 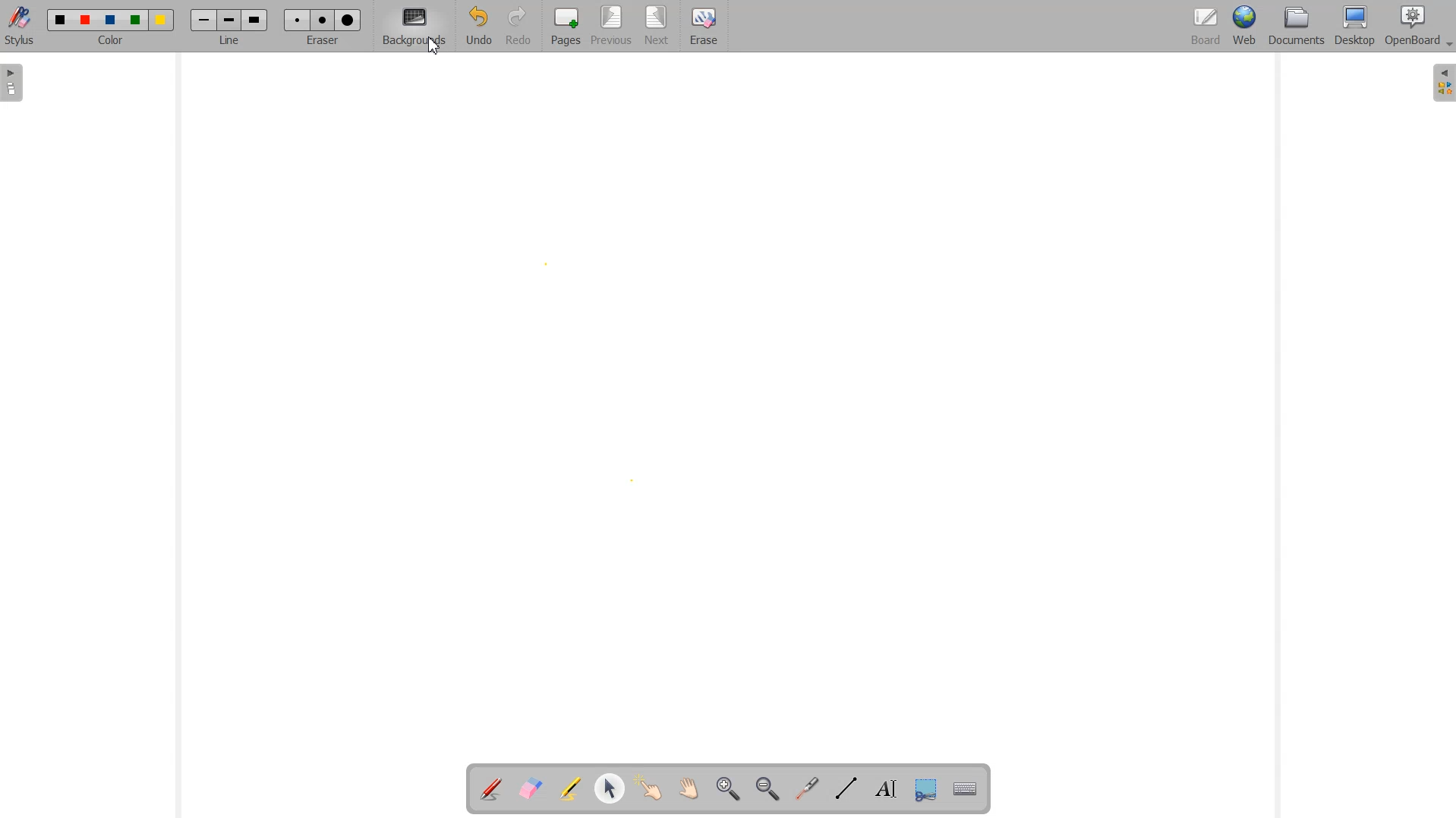 What do you see at coordinates (613, 27) in the screenshot?
I see `Previous` at bounding box center [613, 27].